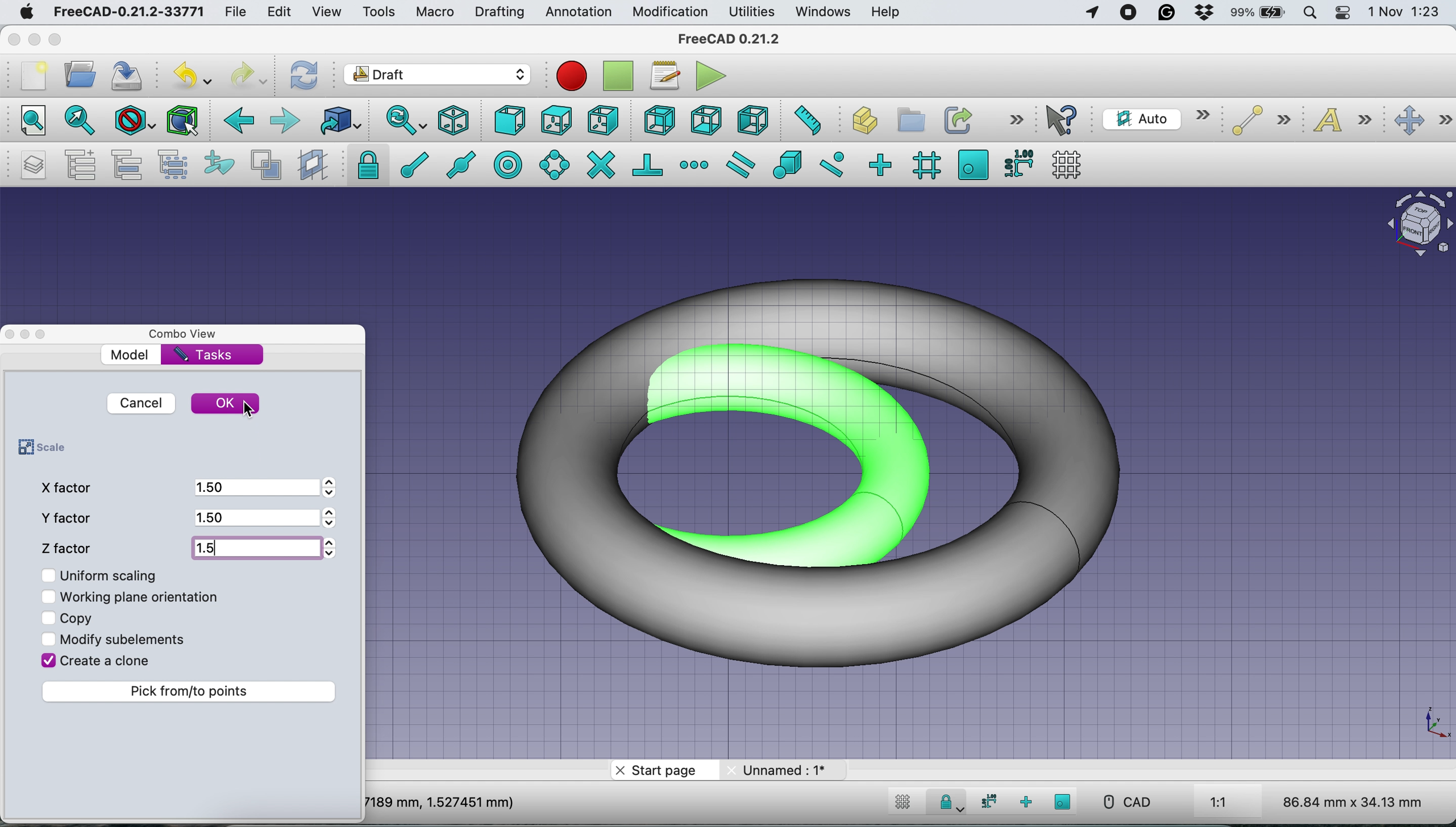 Image resolution: width=1456 pixels, height=827 pixels. What do you see at coordinates (253, 517) in the screenshot?
I see `1.5` at bounding box center [253, 517].